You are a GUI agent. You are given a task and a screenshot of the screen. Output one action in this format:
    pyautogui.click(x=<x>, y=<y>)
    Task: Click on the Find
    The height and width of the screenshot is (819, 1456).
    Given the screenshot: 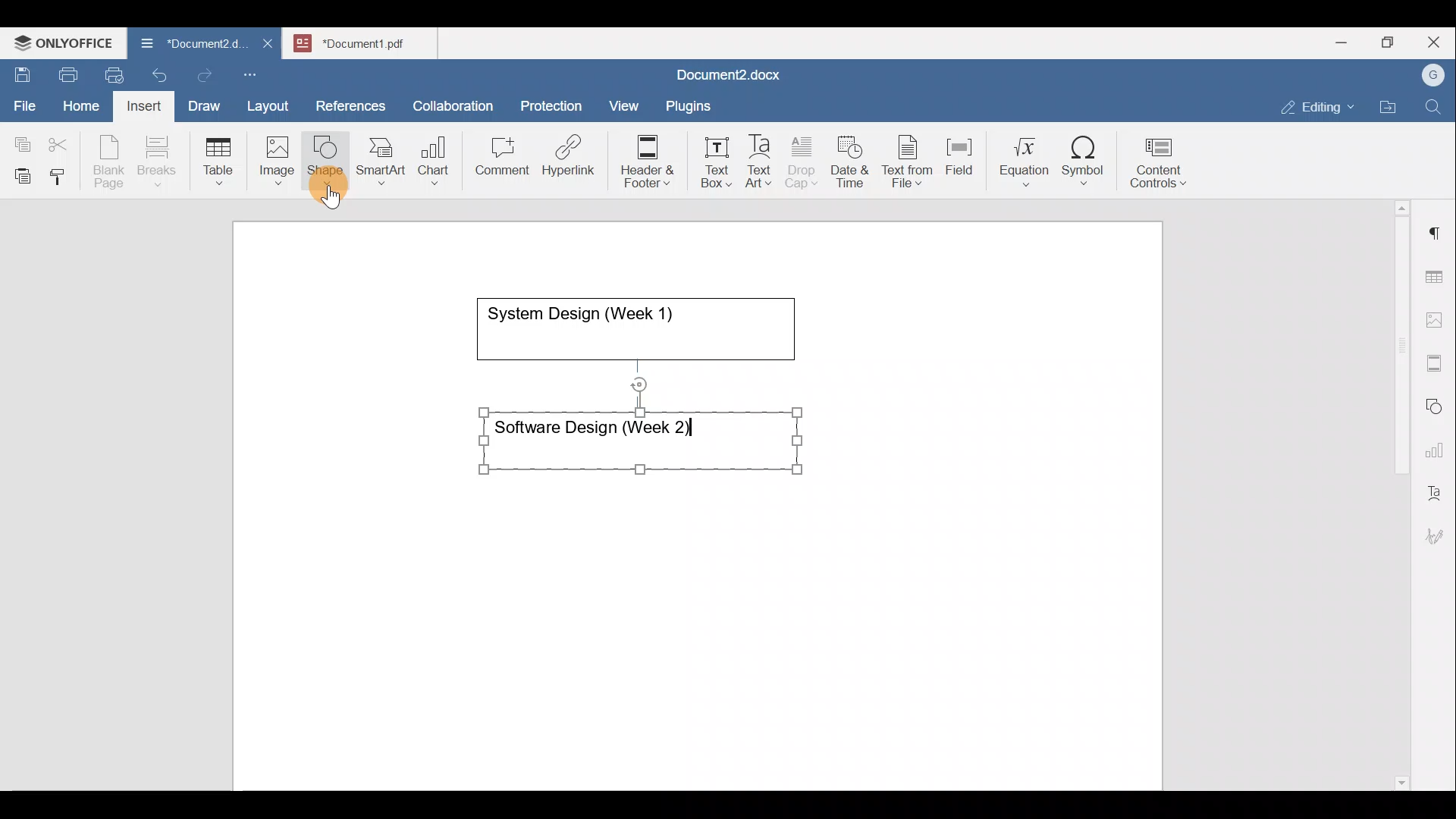 What is the action you would take?
    pyautogui.click(x=1435, y=108)
    